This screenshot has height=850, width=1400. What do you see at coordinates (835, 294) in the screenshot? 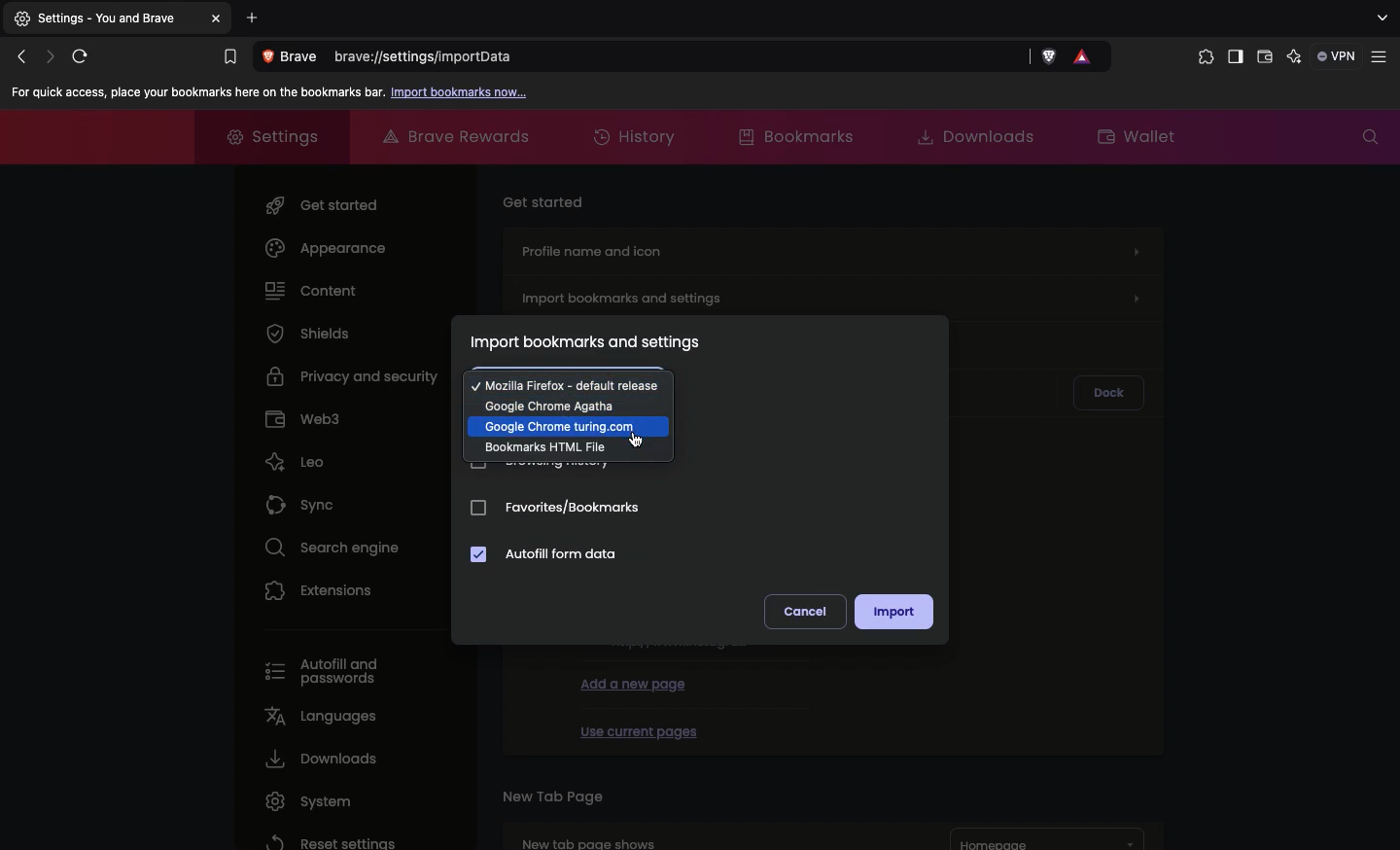
I see `Import bookmarks and settings` at bounding box center [835, 294].